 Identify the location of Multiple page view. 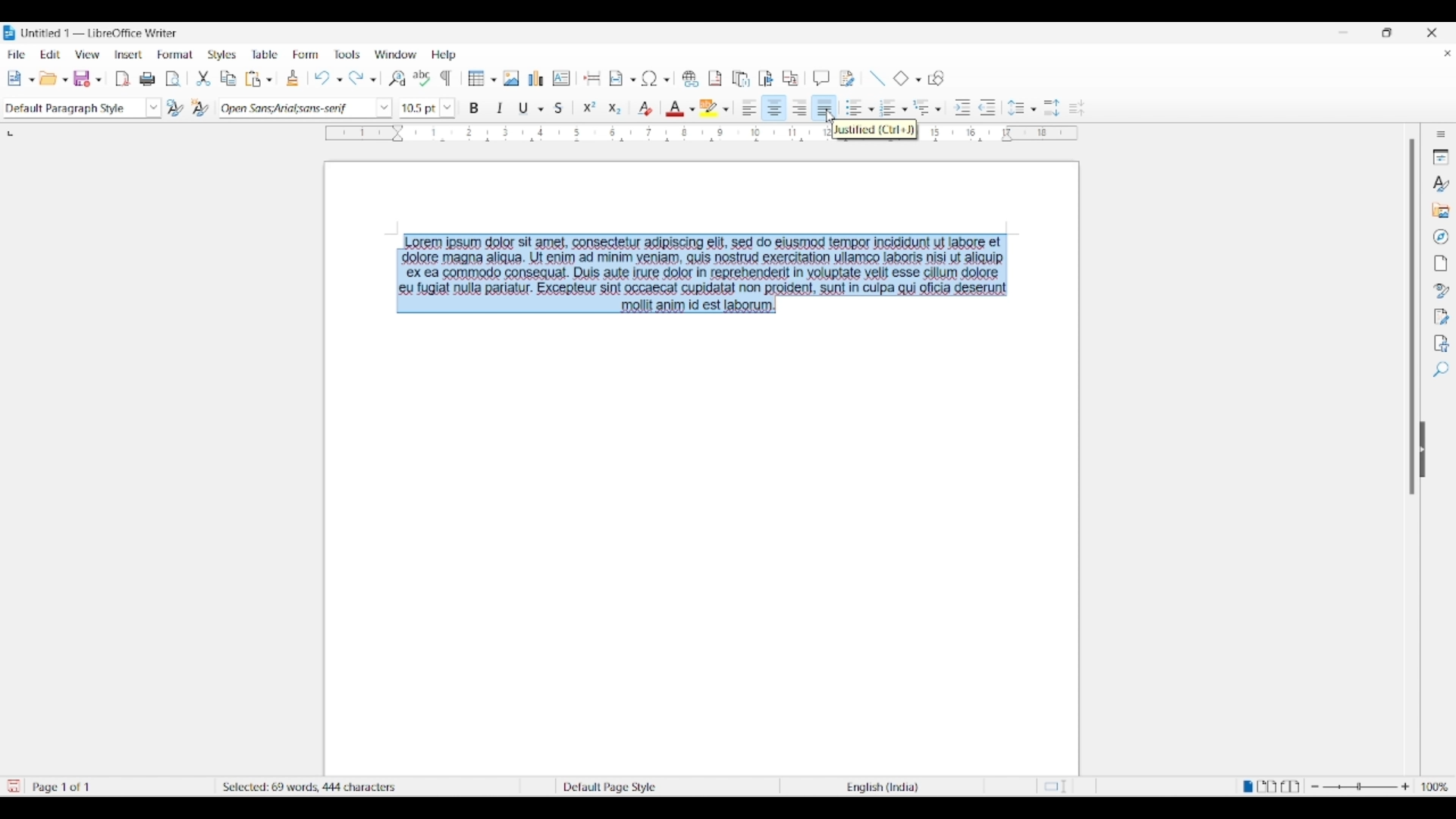
(1268, 786).